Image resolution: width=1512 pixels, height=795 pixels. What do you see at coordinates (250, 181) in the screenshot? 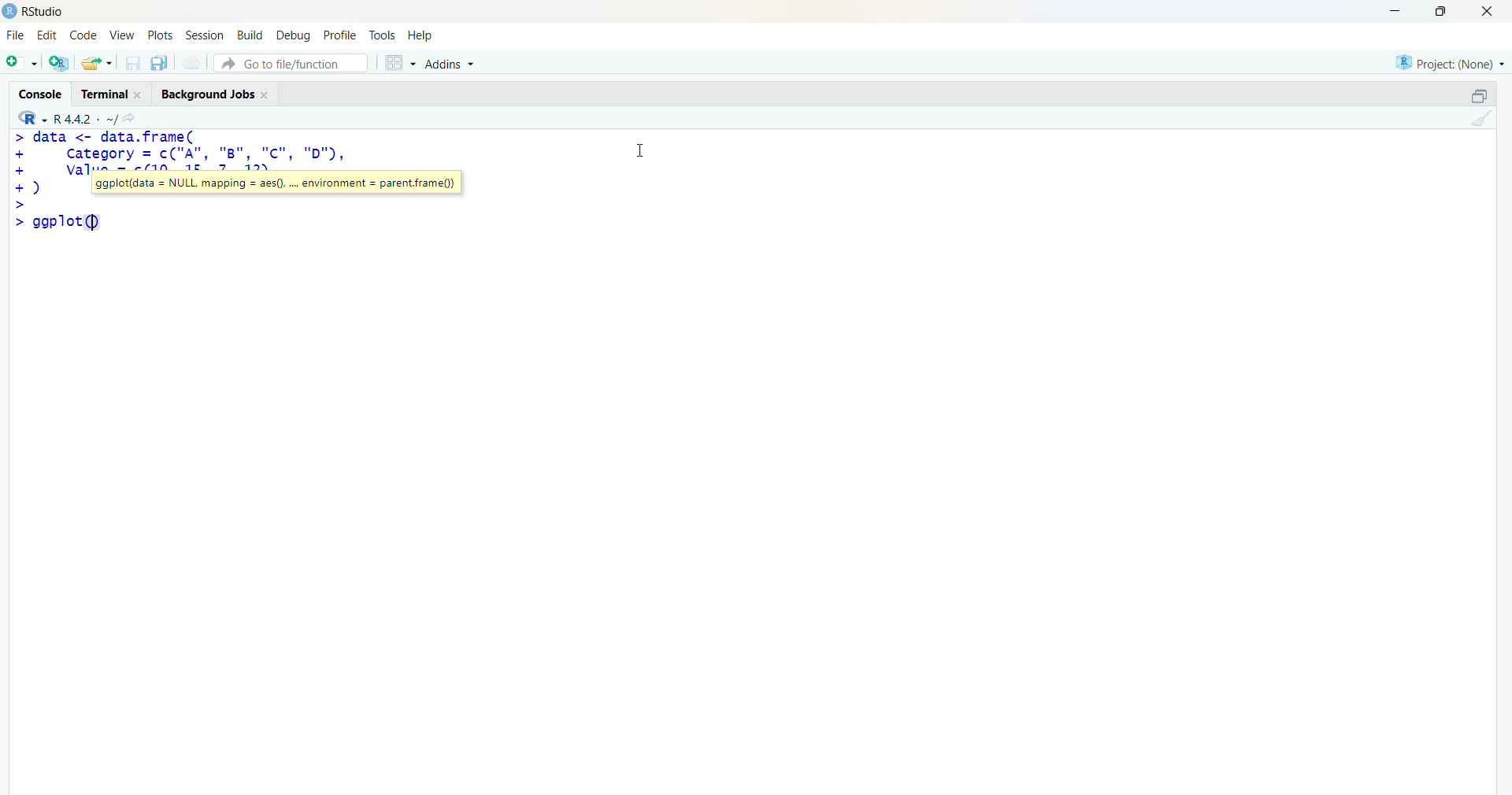
I see `code - > data <- data.frame(Category = c("A", "8B", "c", "D"),value = c(10, 15, 7, 12)) ggplot();` at bounding box center [250, 181].